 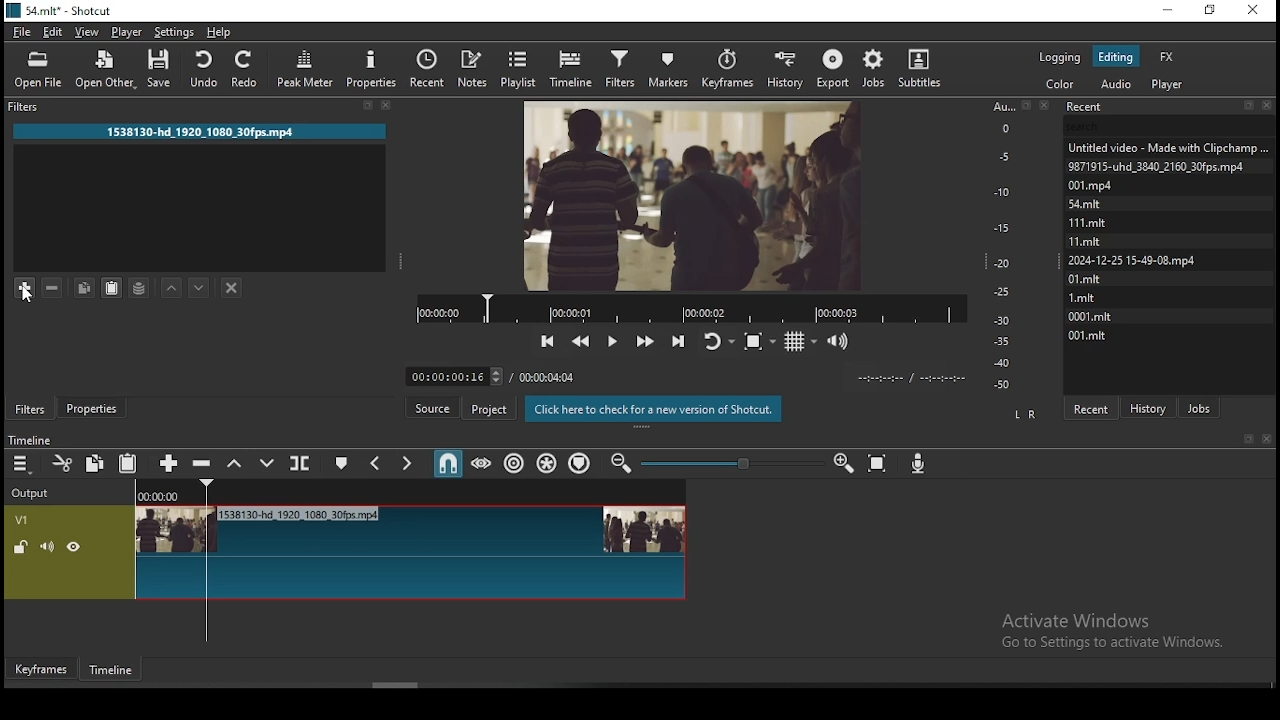 I want to click on overwrite, so click(x=271, y=464).